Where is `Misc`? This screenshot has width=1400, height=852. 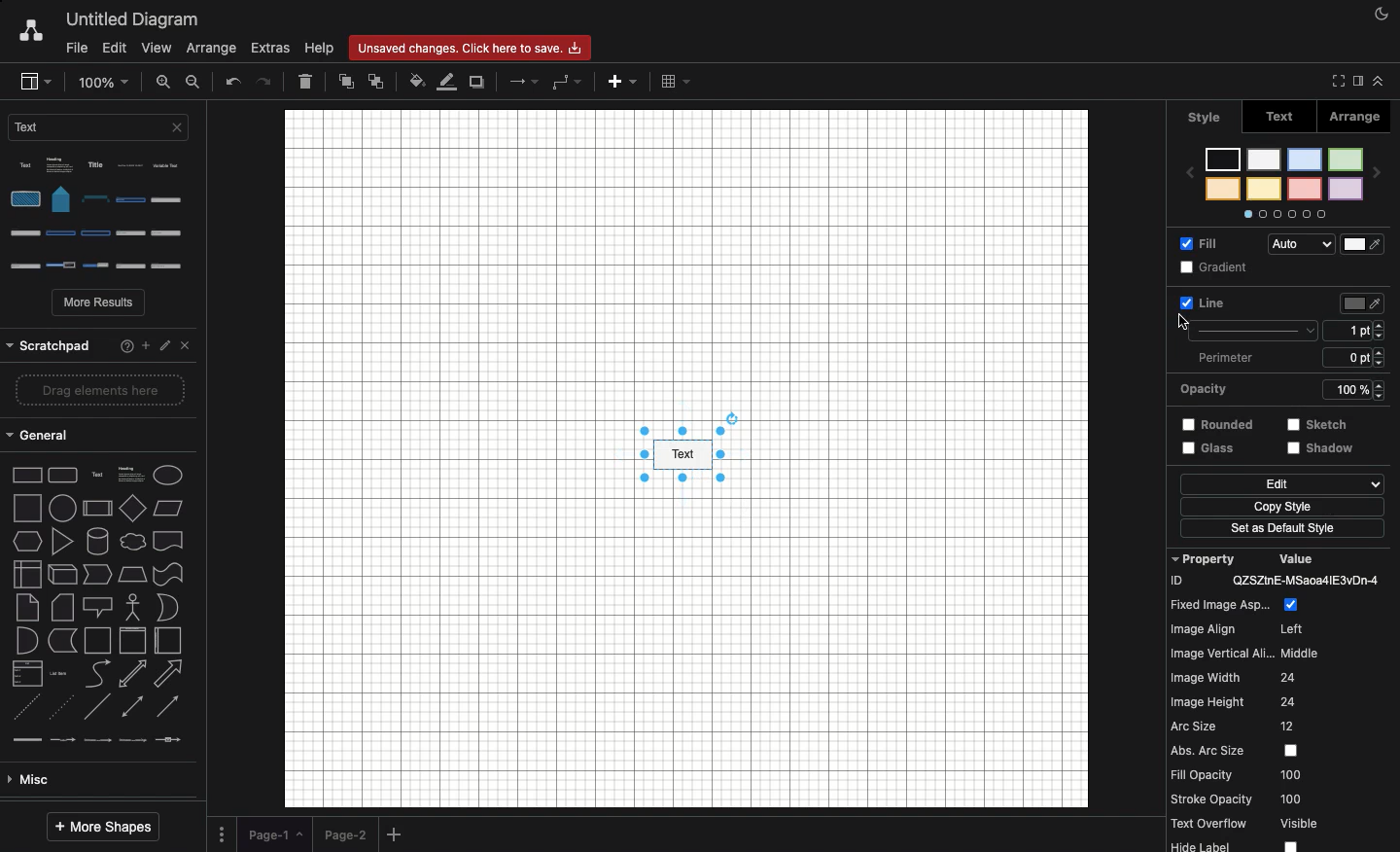
Misc is located at coordinates (95, 607).